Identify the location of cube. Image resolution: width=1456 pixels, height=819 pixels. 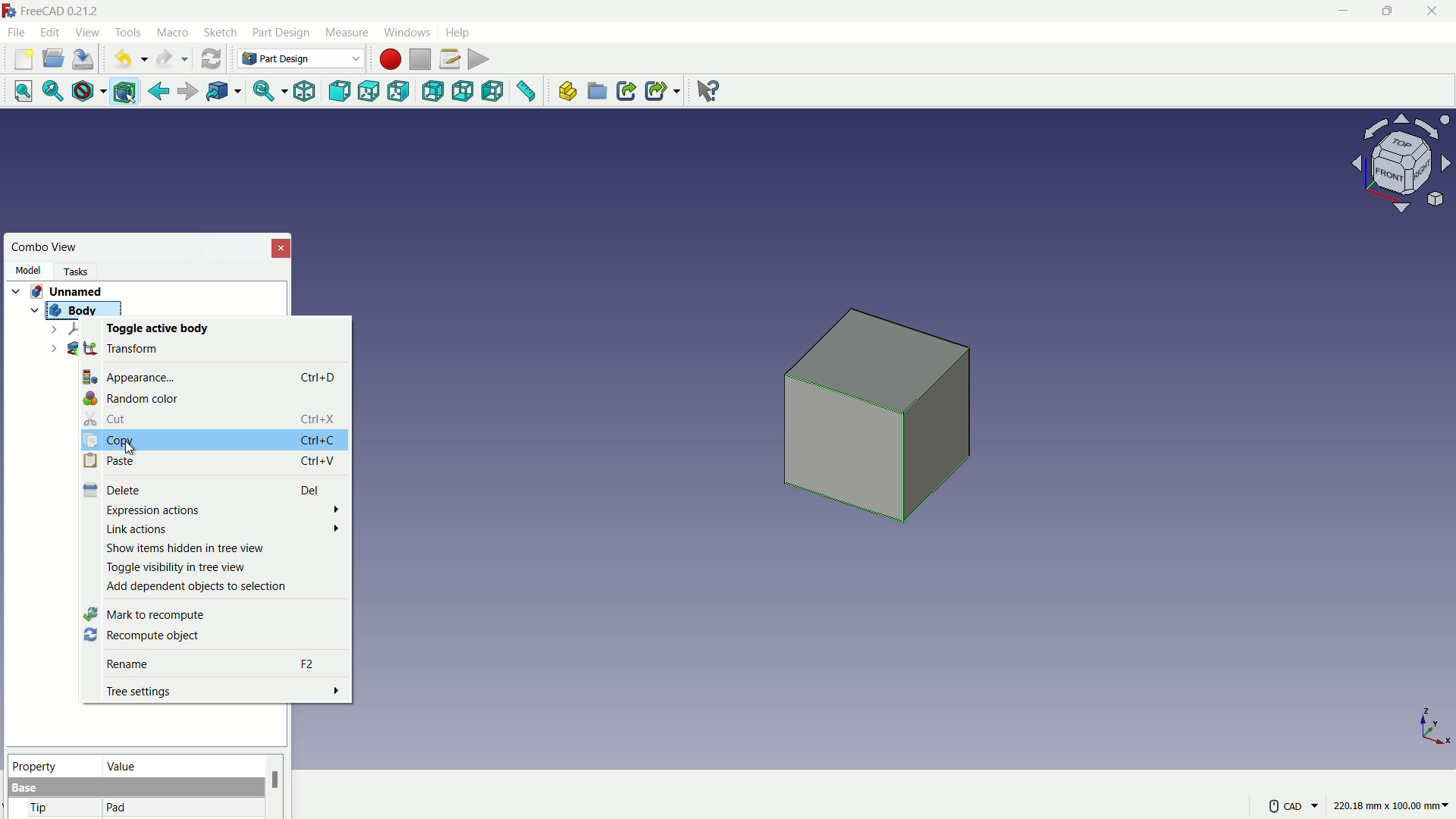
(882, 423).